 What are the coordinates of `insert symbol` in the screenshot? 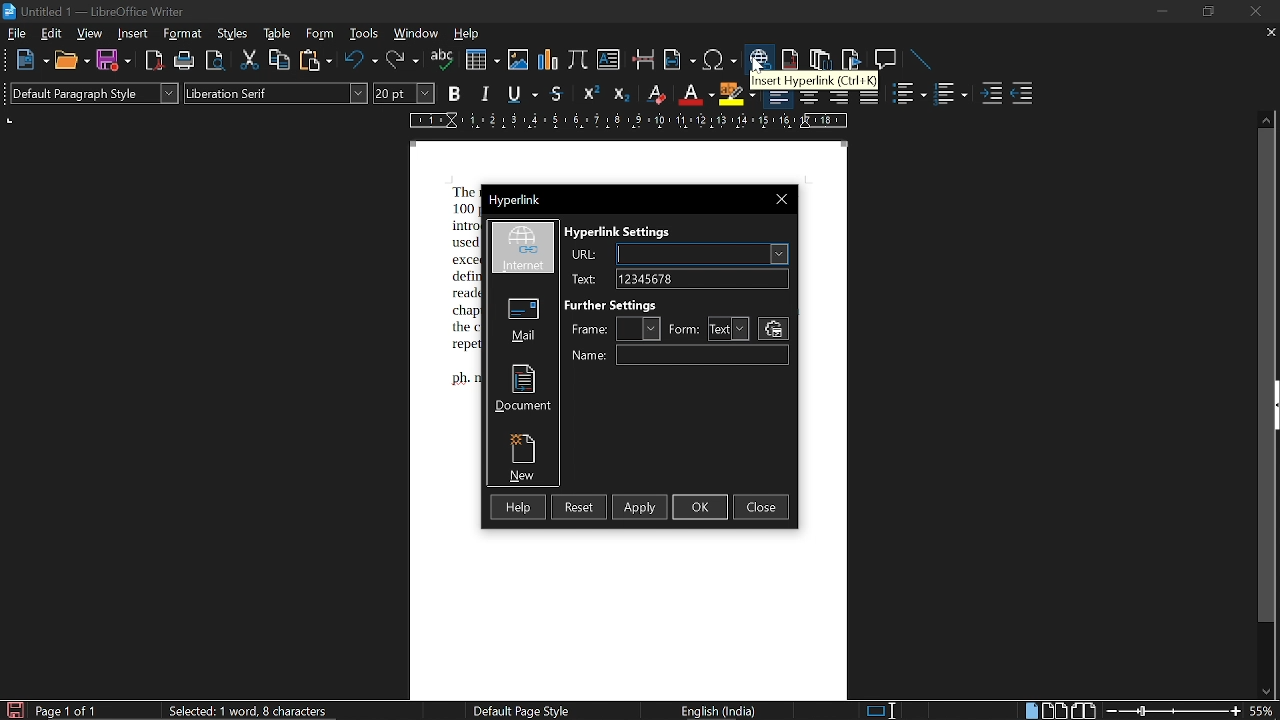 It's located at (718, 60).